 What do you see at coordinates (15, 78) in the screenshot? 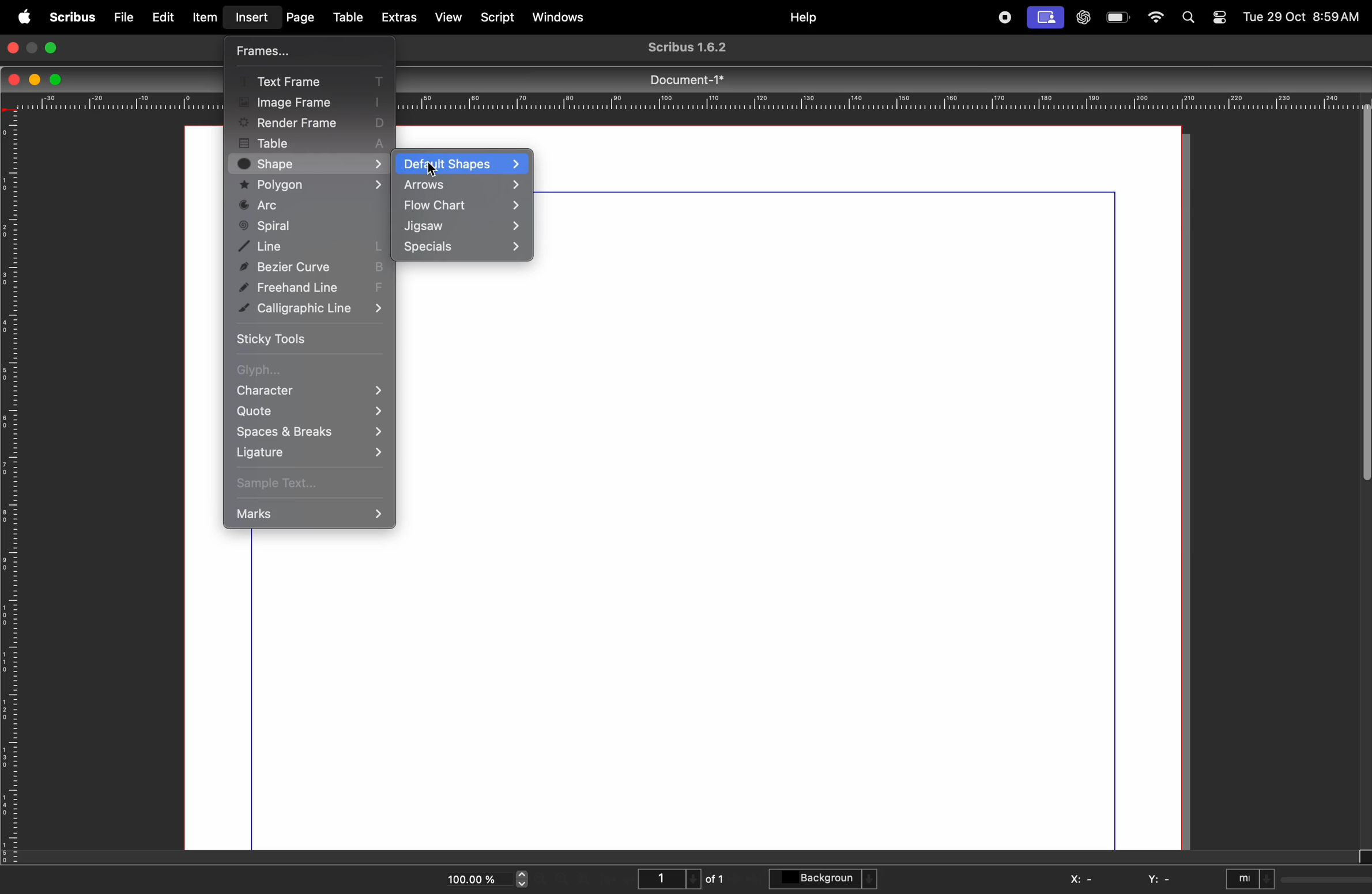
I see `closing window` at bounding box center [15, 78].